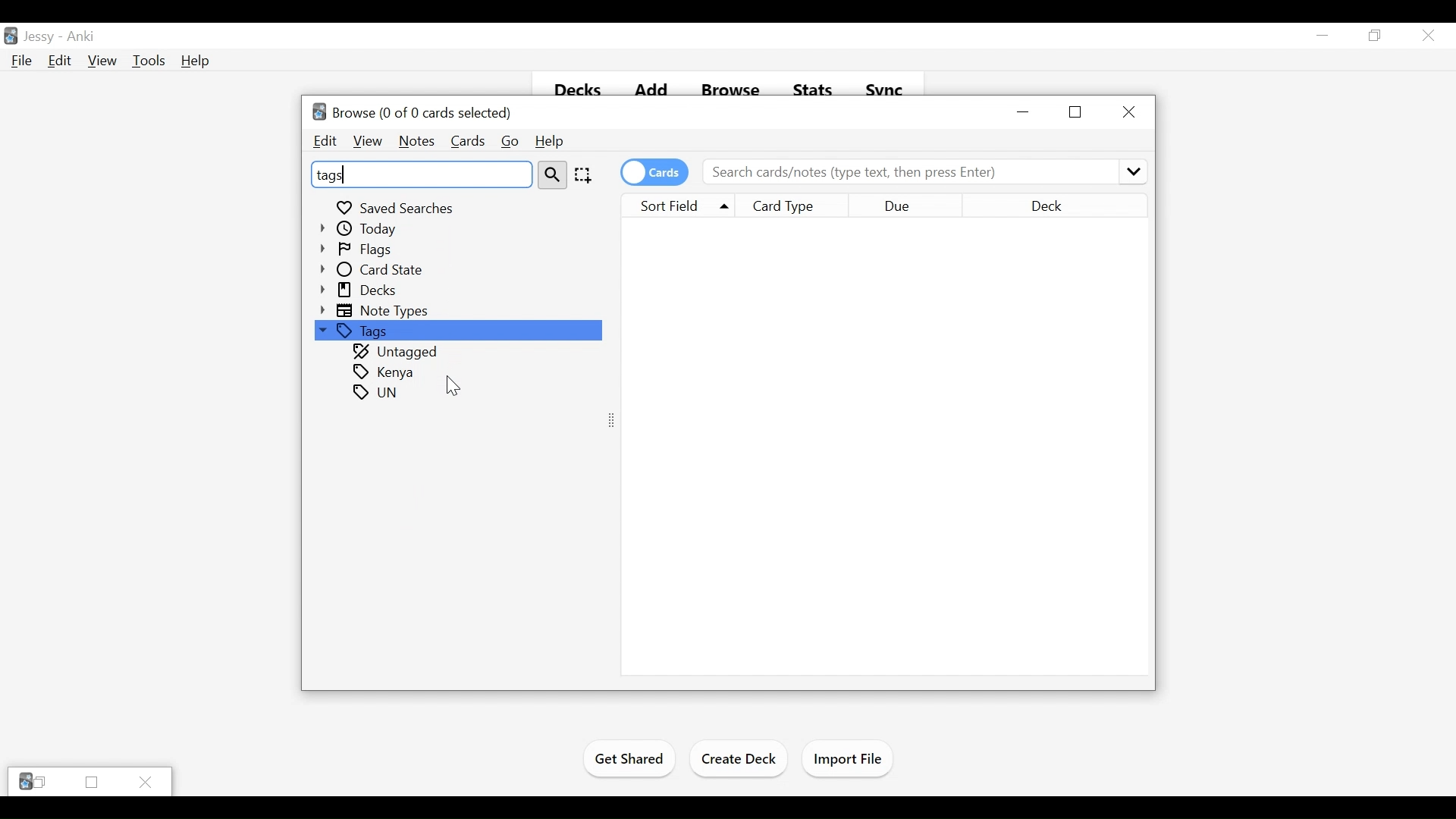 The height and width of the screenshot is (819, 1456). Describe the element at coordinates (397, 353) in the screenshot. I see `Untagged` at that location.